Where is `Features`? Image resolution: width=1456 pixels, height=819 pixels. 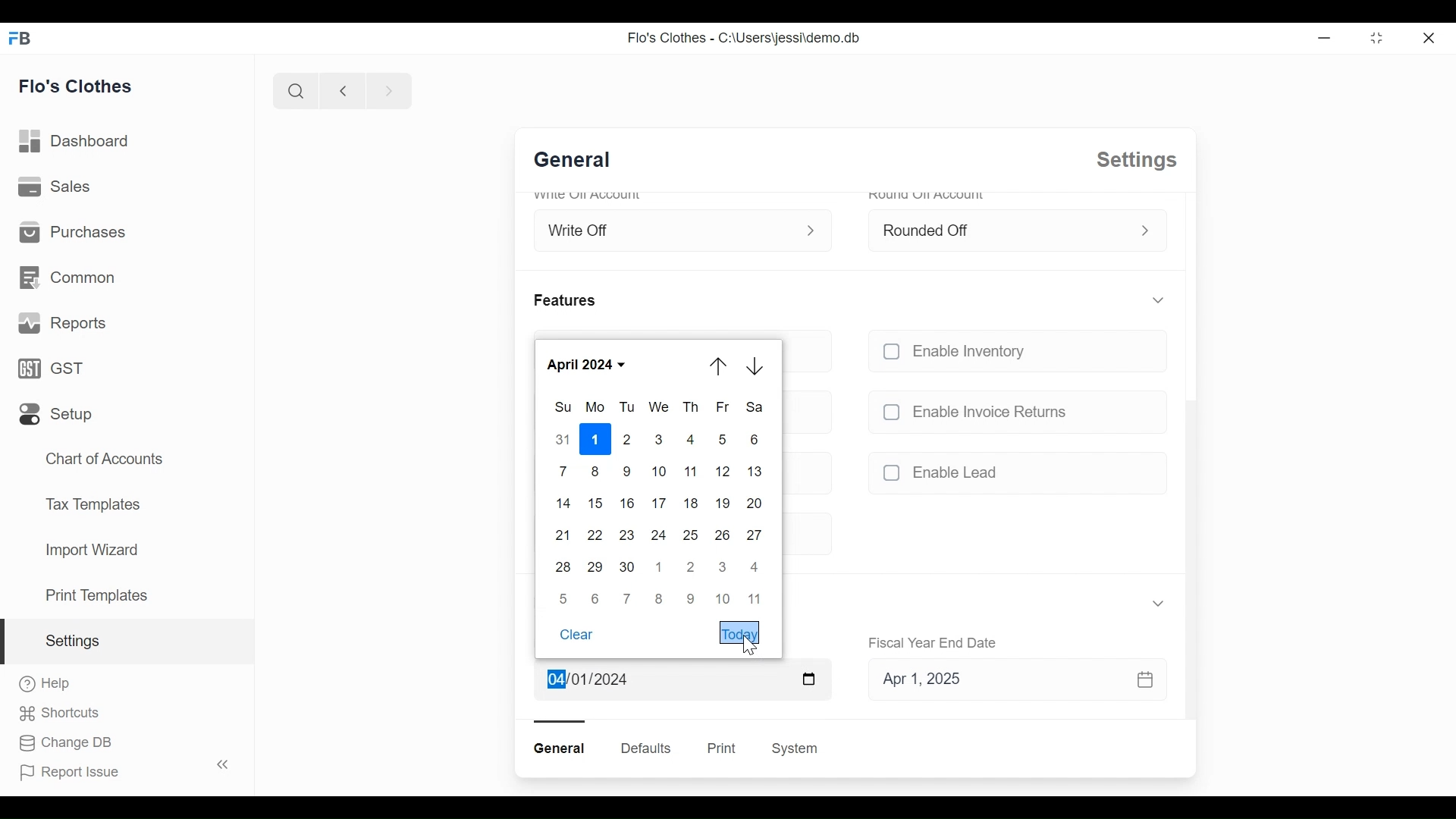 Features is located at coordinates (567, 300).